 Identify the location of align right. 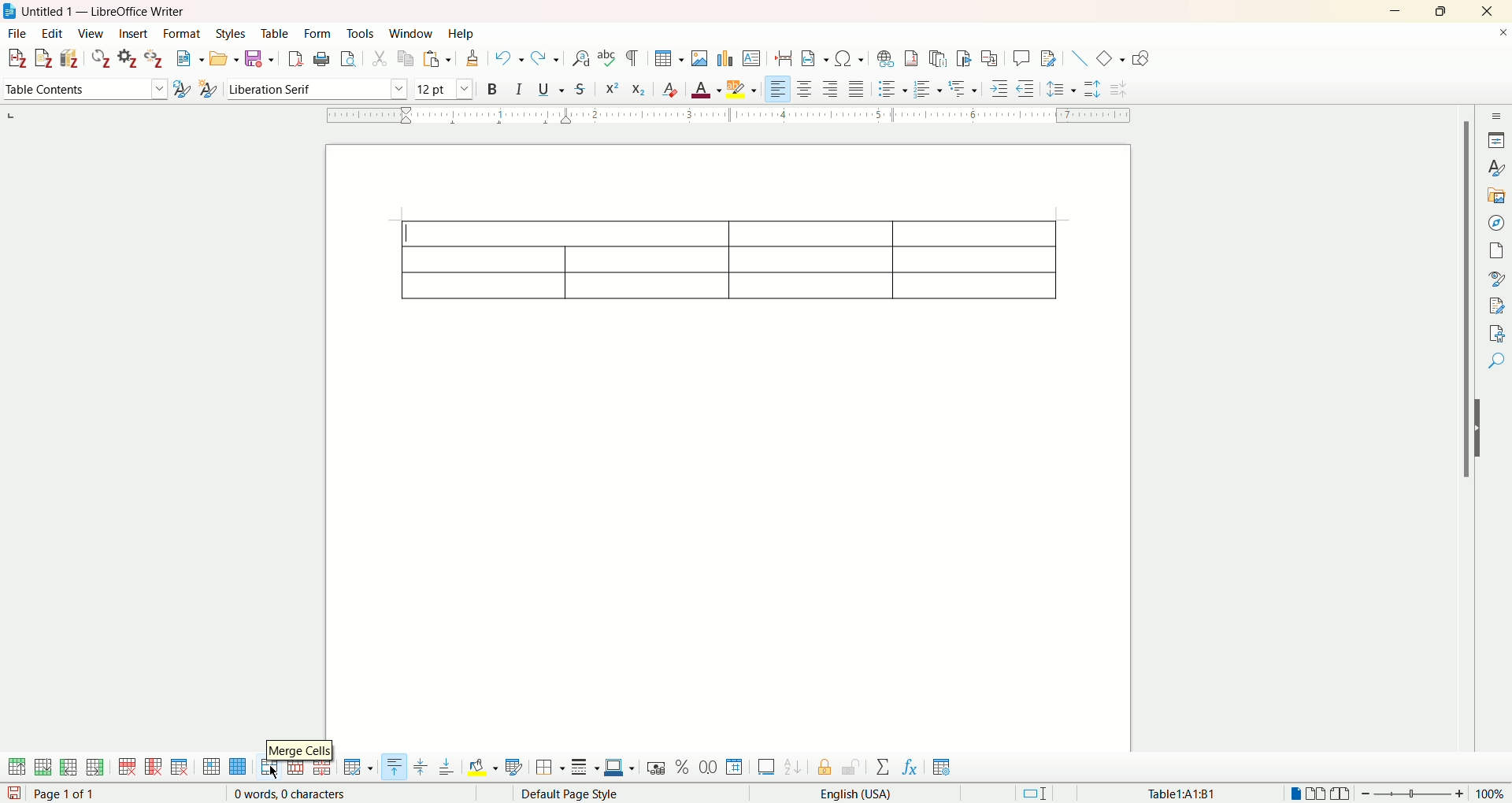
(831, 90).